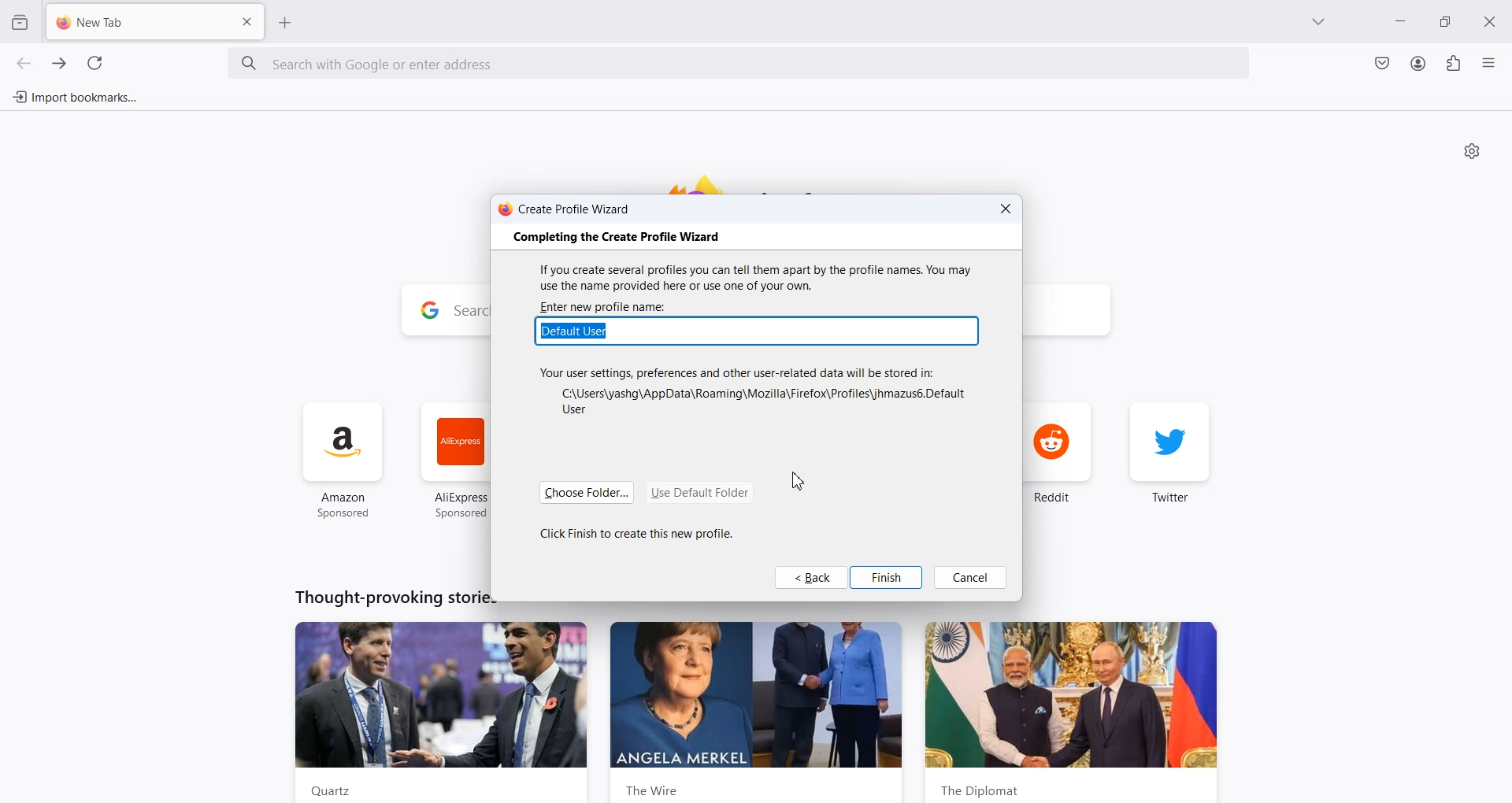 The image size is (1512, 803). What do you see at coordinates (132, 23) in the screenshot?
I see `New Tab` at bounding box center [132, 23].